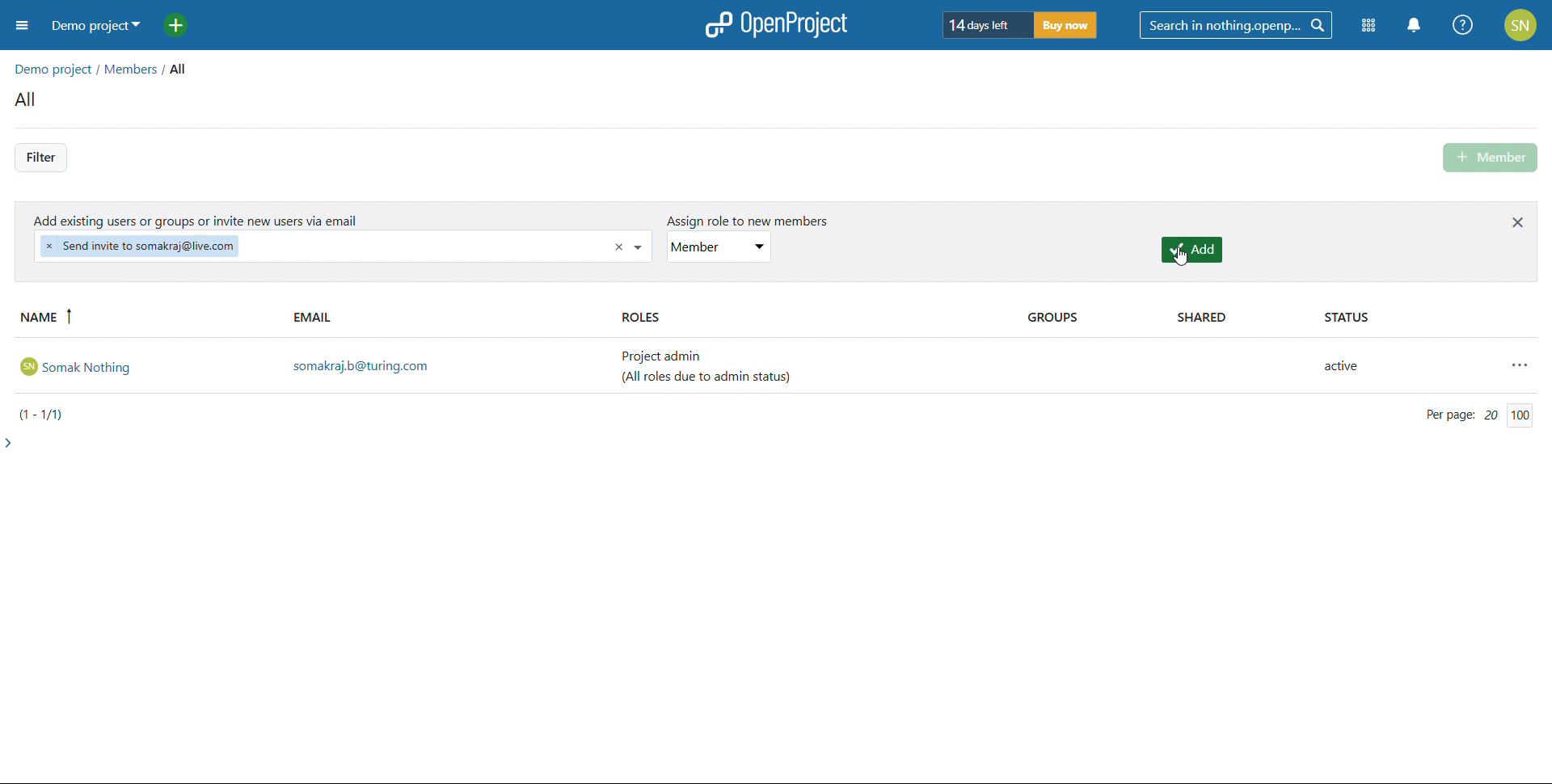 The image size is (1552, 784). I want to click on all, so click(183, 69).